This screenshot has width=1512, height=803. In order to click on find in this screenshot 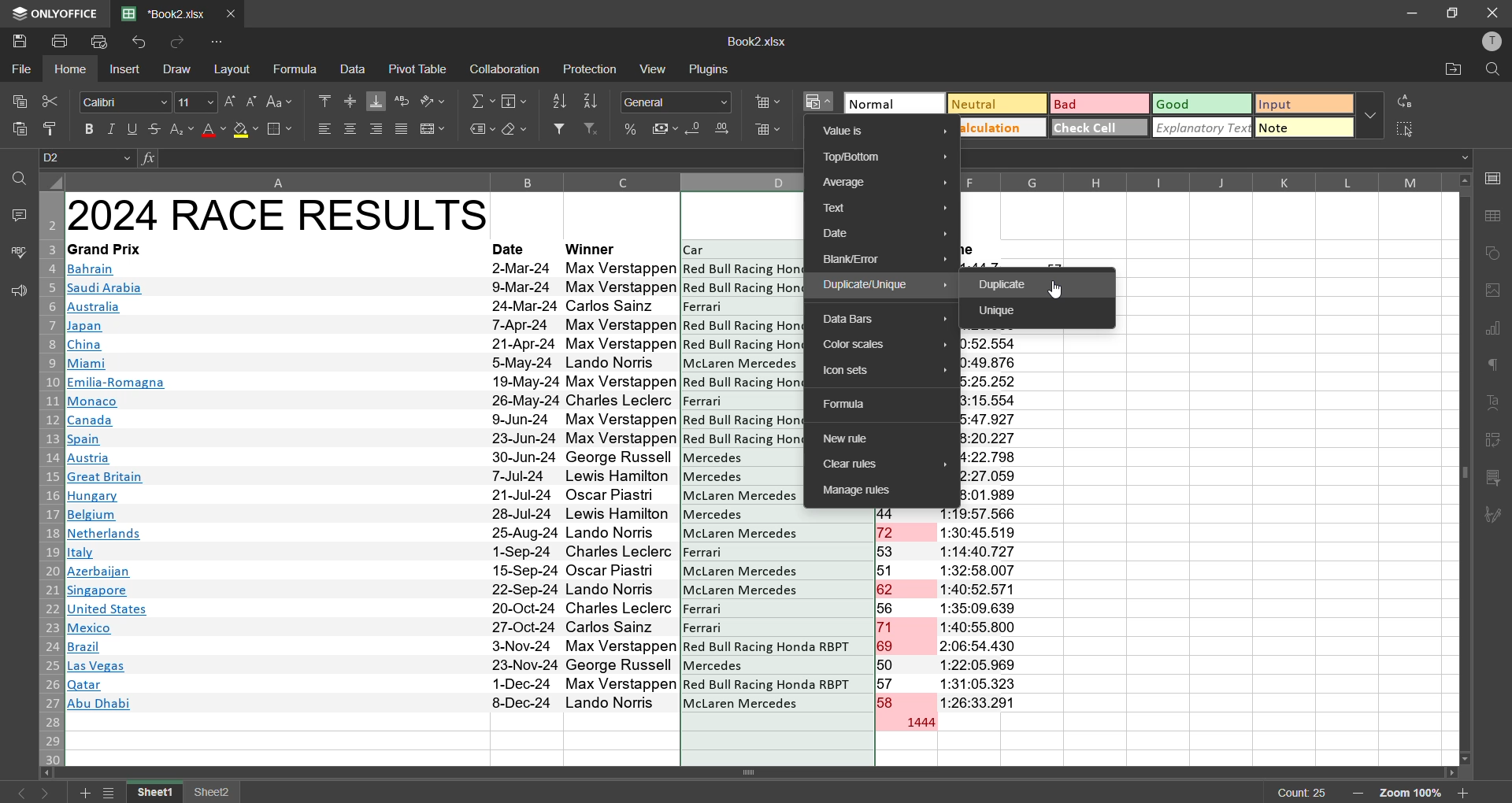, I will do `click(19, 178)`.